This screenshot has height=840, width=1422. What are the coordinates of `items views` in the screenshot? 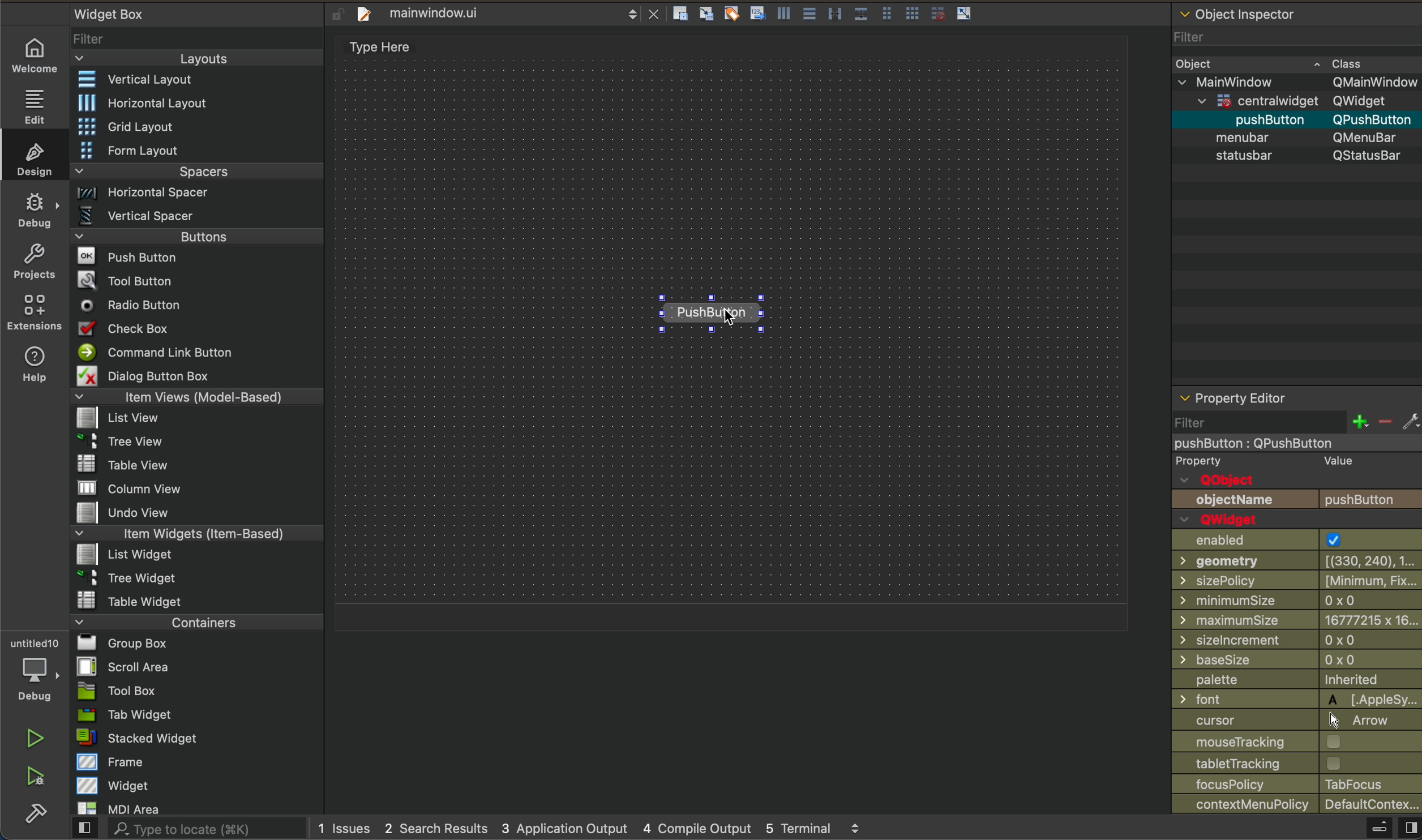 It's located at (198, 398).